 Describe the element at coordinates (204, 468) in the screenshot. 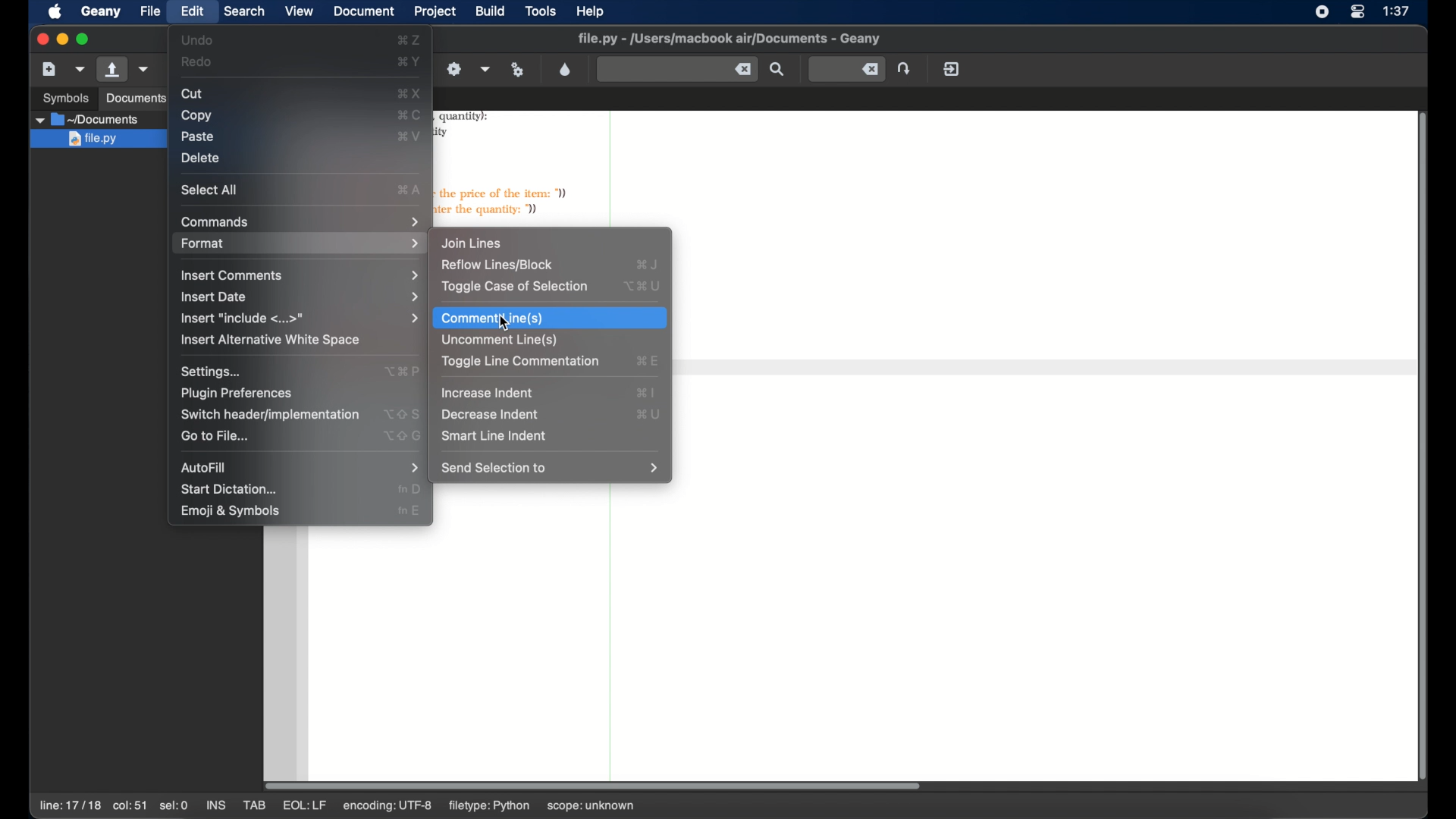

I see `autofill` at that location.